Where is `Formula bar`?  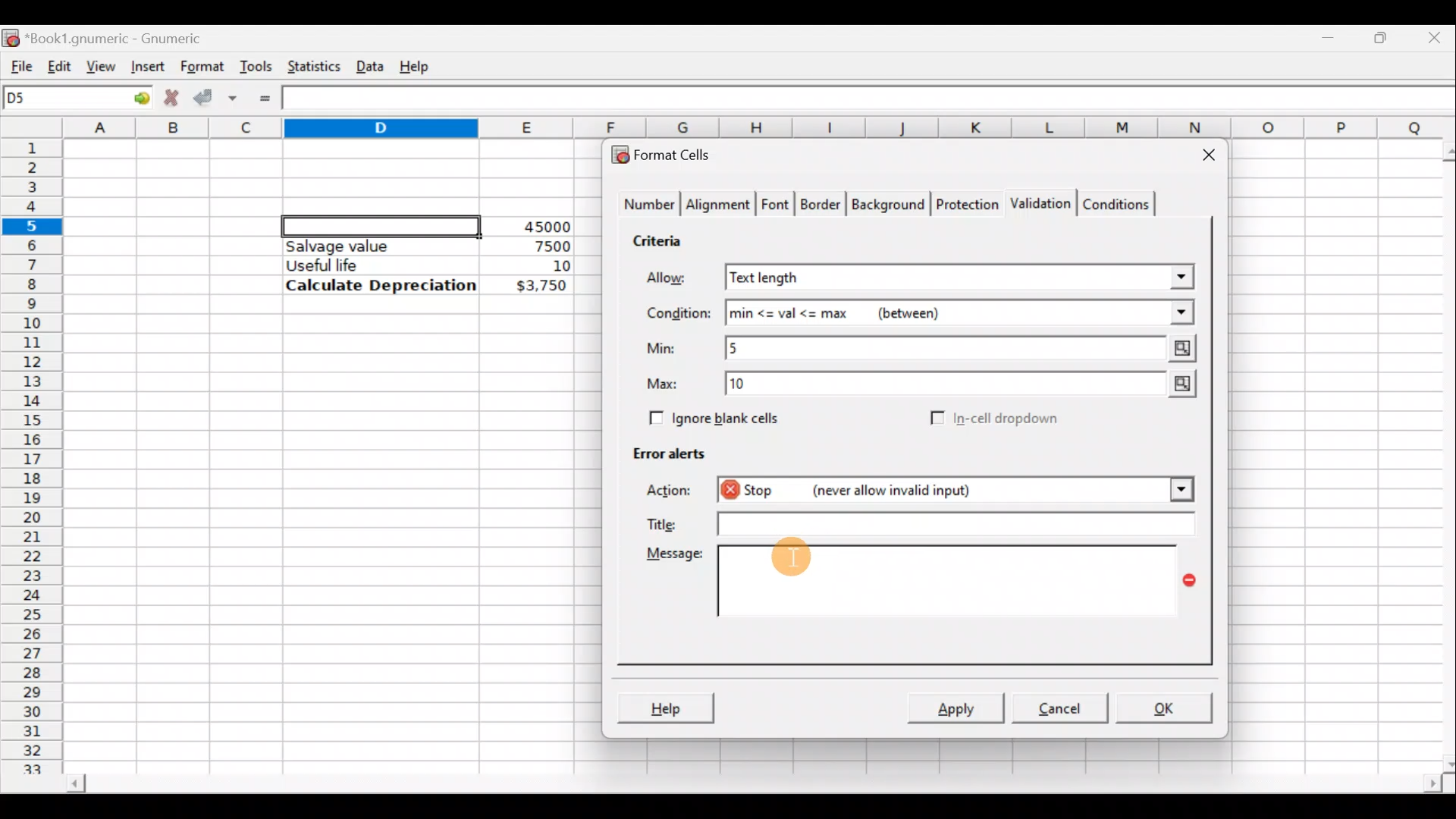
Formula bar is located at coordinates (873, 100).